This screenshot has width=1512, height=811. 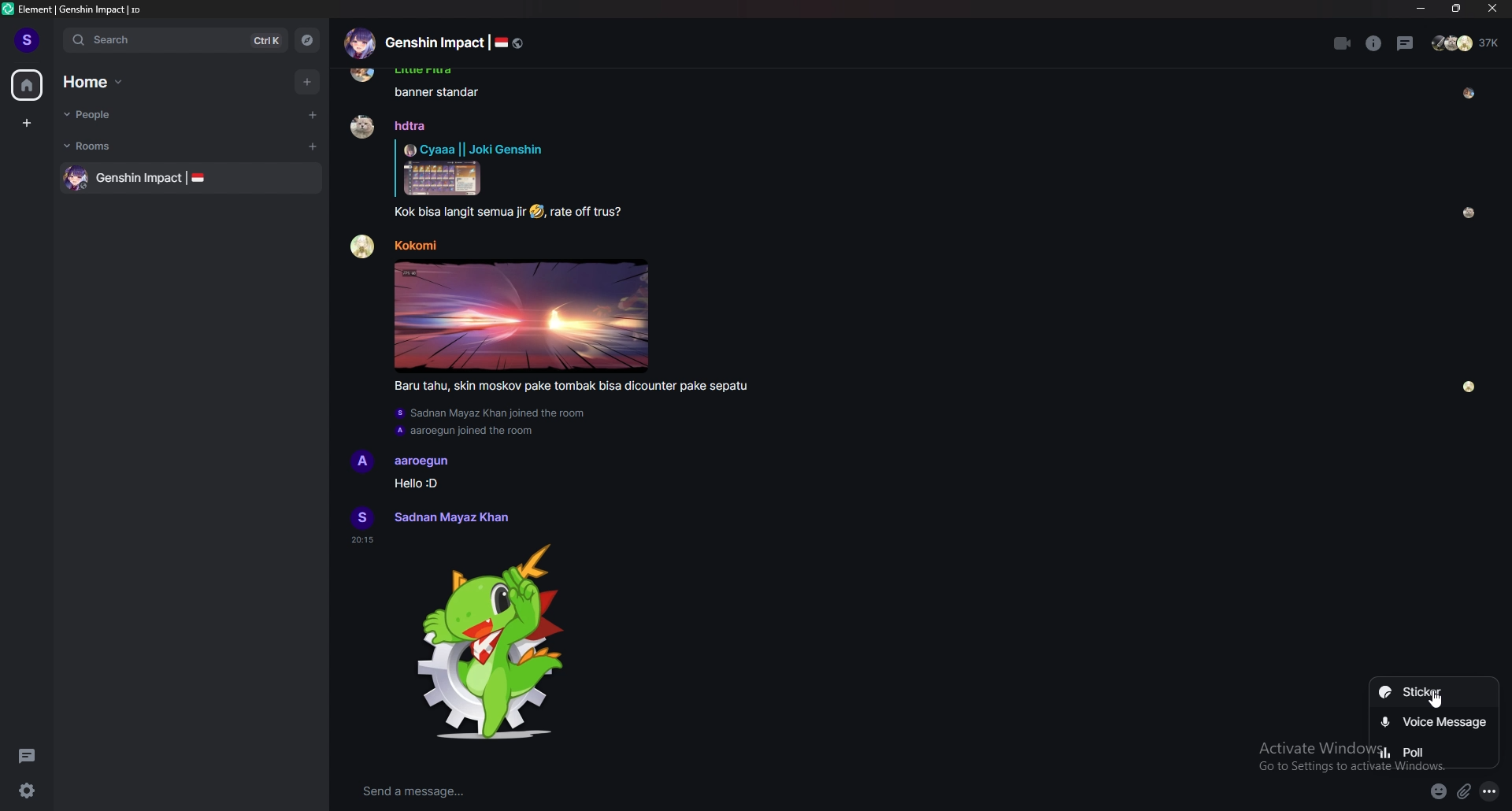 I want to click on Kok bisa langit semua jir, so click(x=459, y=213).